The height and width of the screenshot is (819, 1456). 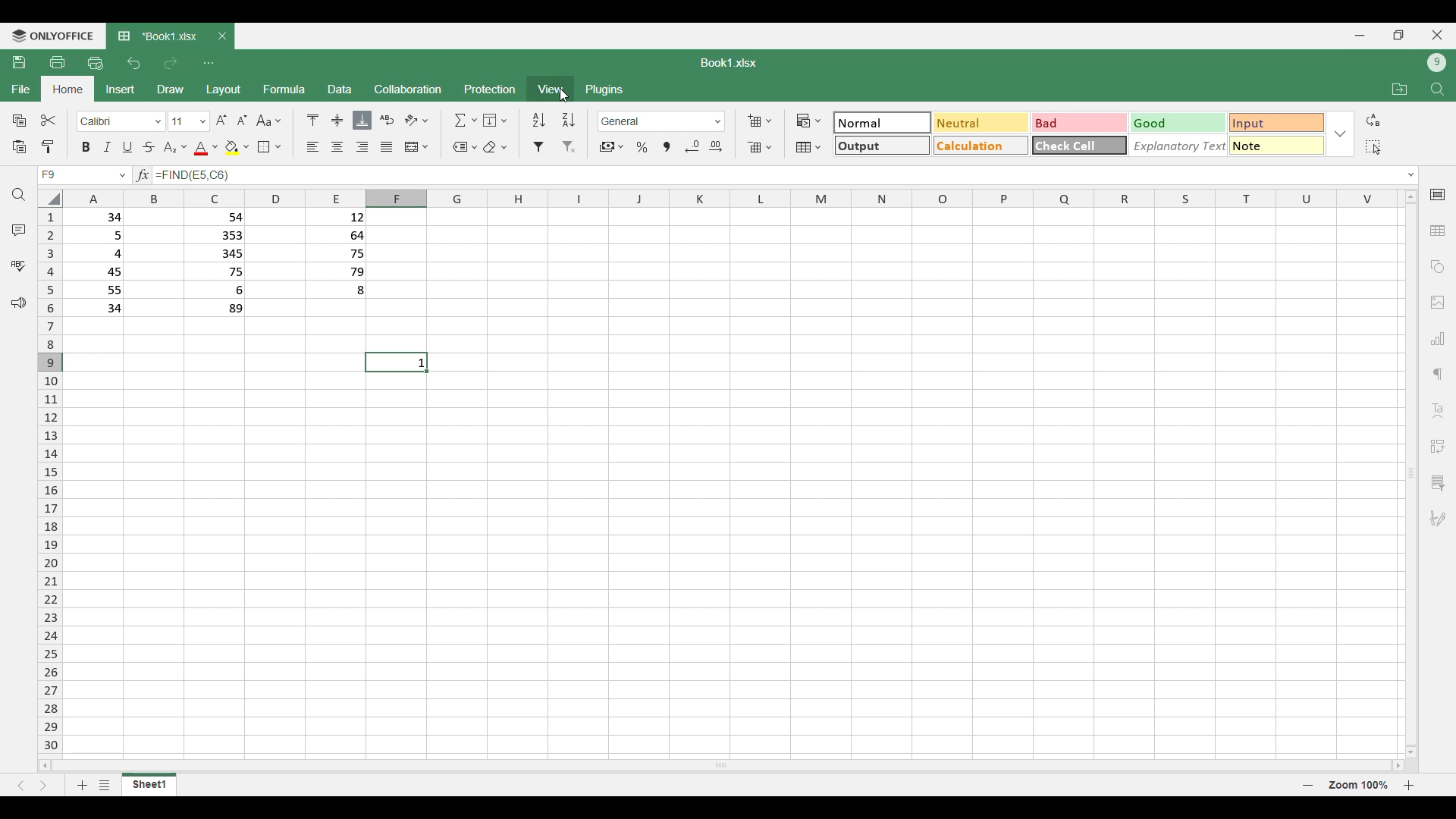 What do you see at coordinates (1410, 469) in the screenshot?
I see `Vertical slide bar` at bounding box center [1410, 469].